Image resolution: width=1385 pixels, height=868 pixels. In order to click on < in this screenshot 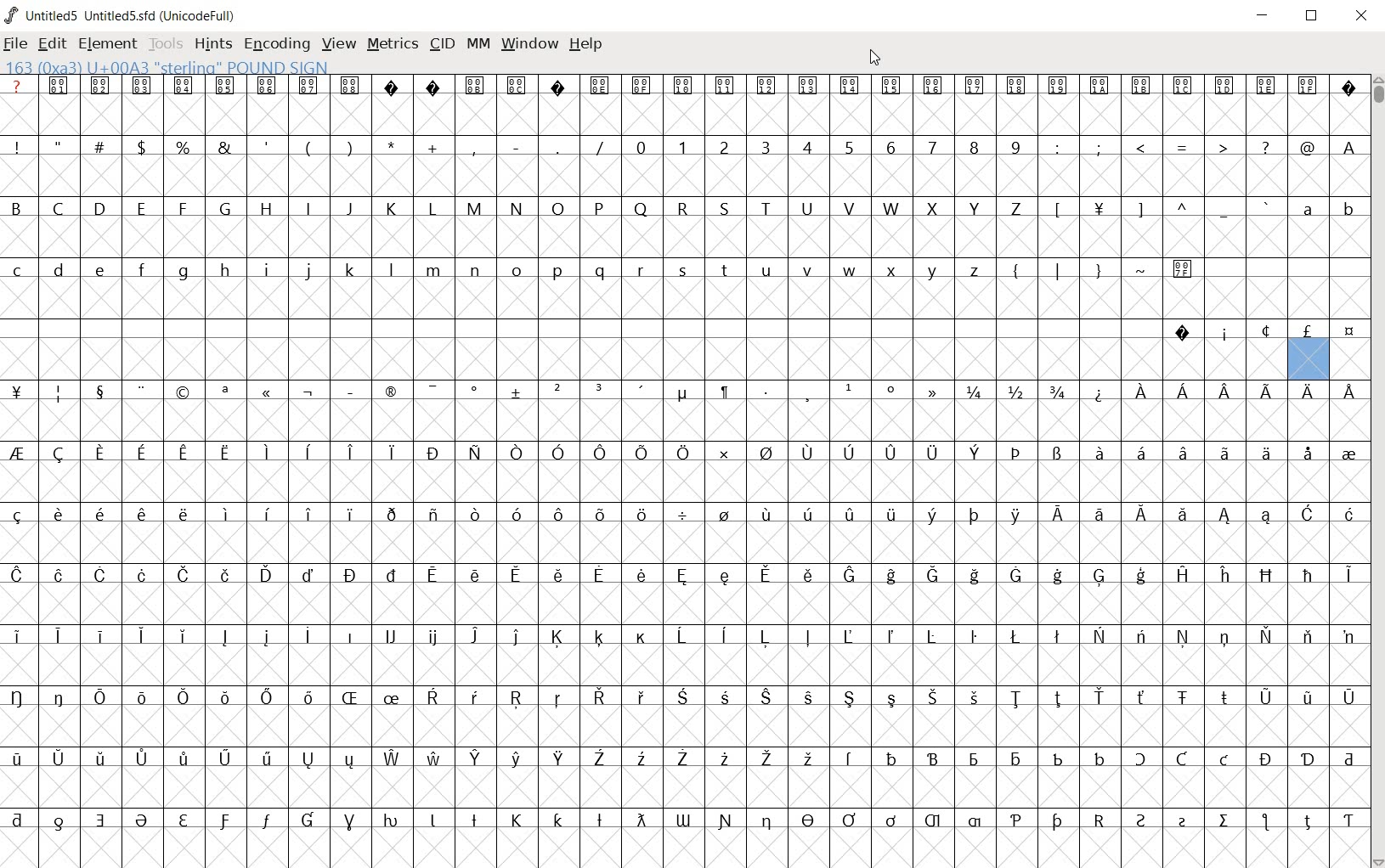, I will do `click(1139, 148)`.